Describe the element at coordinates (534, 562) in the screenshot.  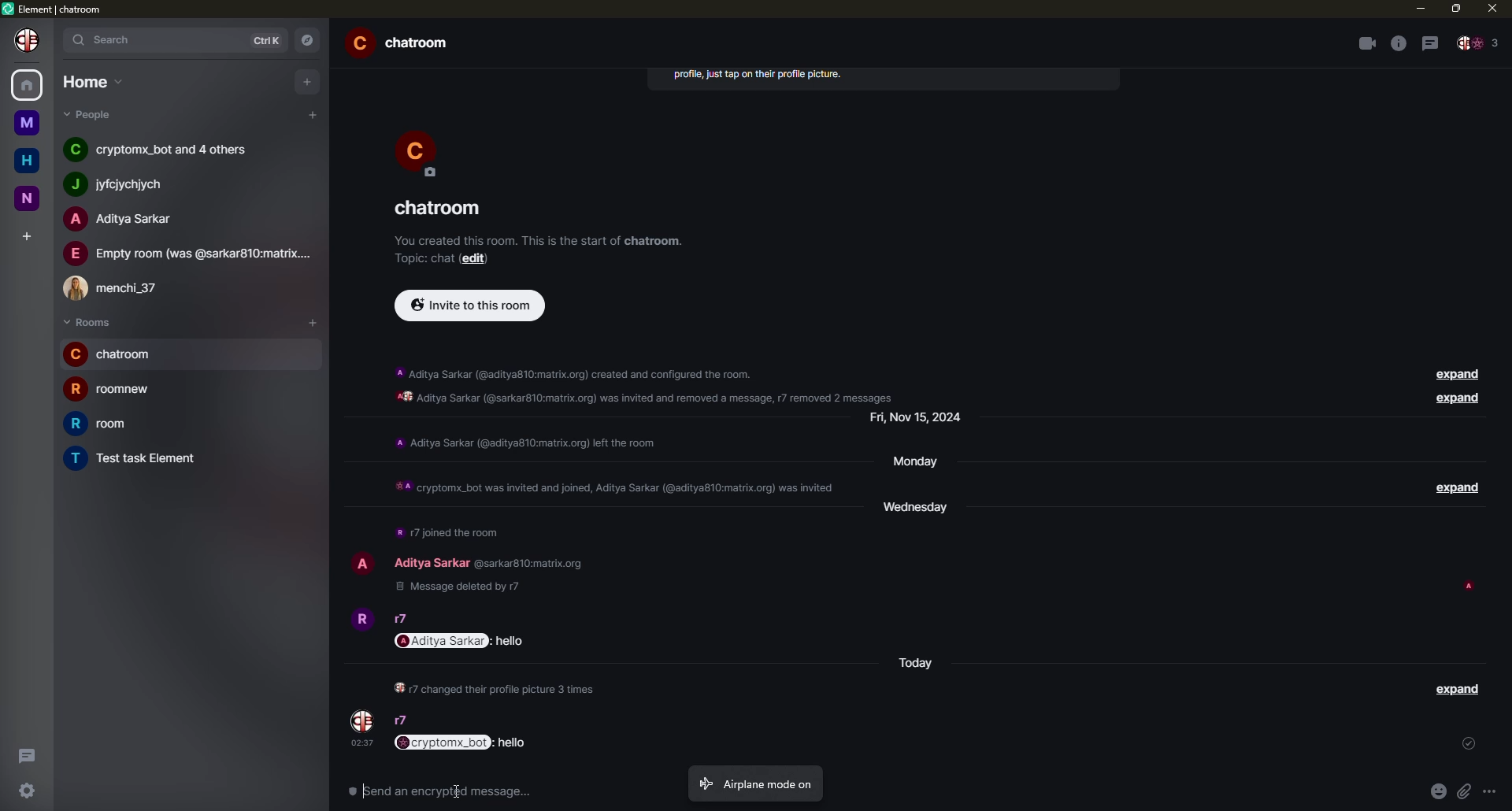
I see `id` at that location.